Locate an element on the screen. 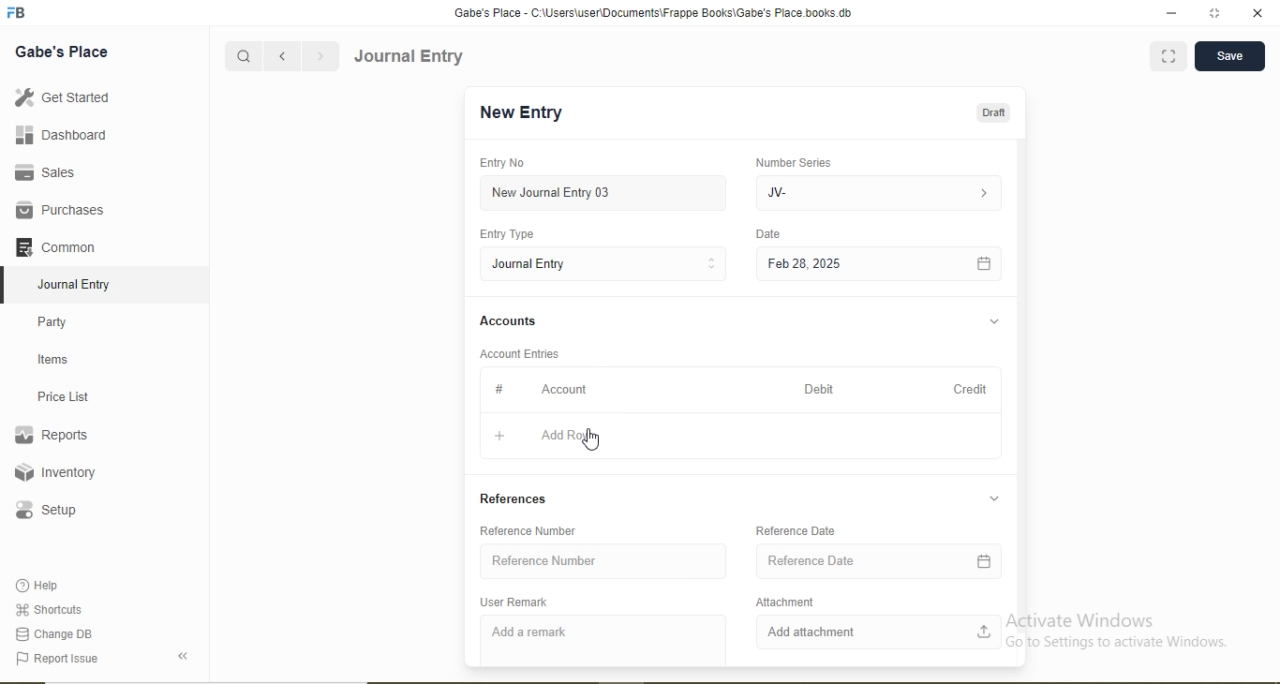 This screenshot has height=684, width=1280. Journal Entry is located at coordinates (76, 285).